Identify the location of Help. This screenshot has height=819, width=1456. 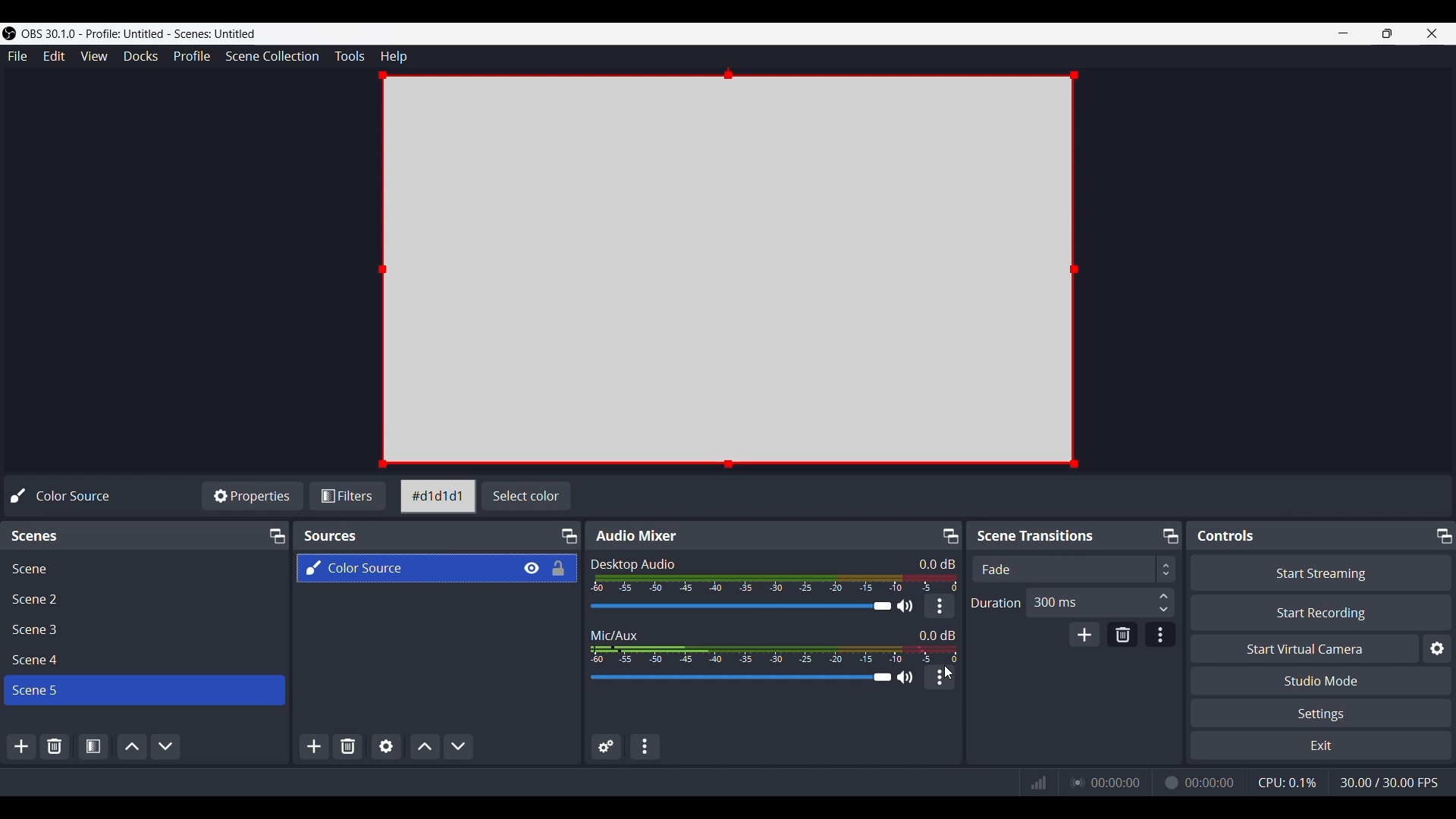
(392, 55).